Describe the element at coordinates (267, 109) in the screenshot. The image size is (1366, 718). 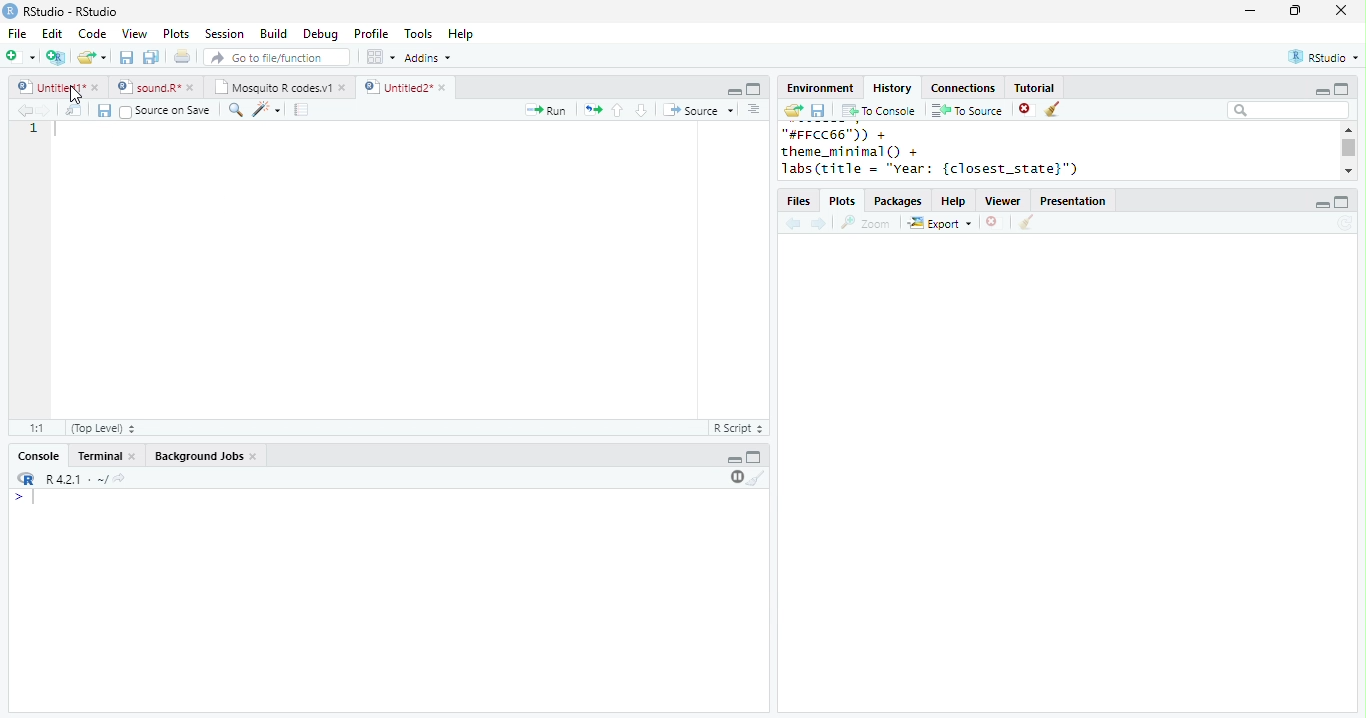
I see `code tools` at that location.